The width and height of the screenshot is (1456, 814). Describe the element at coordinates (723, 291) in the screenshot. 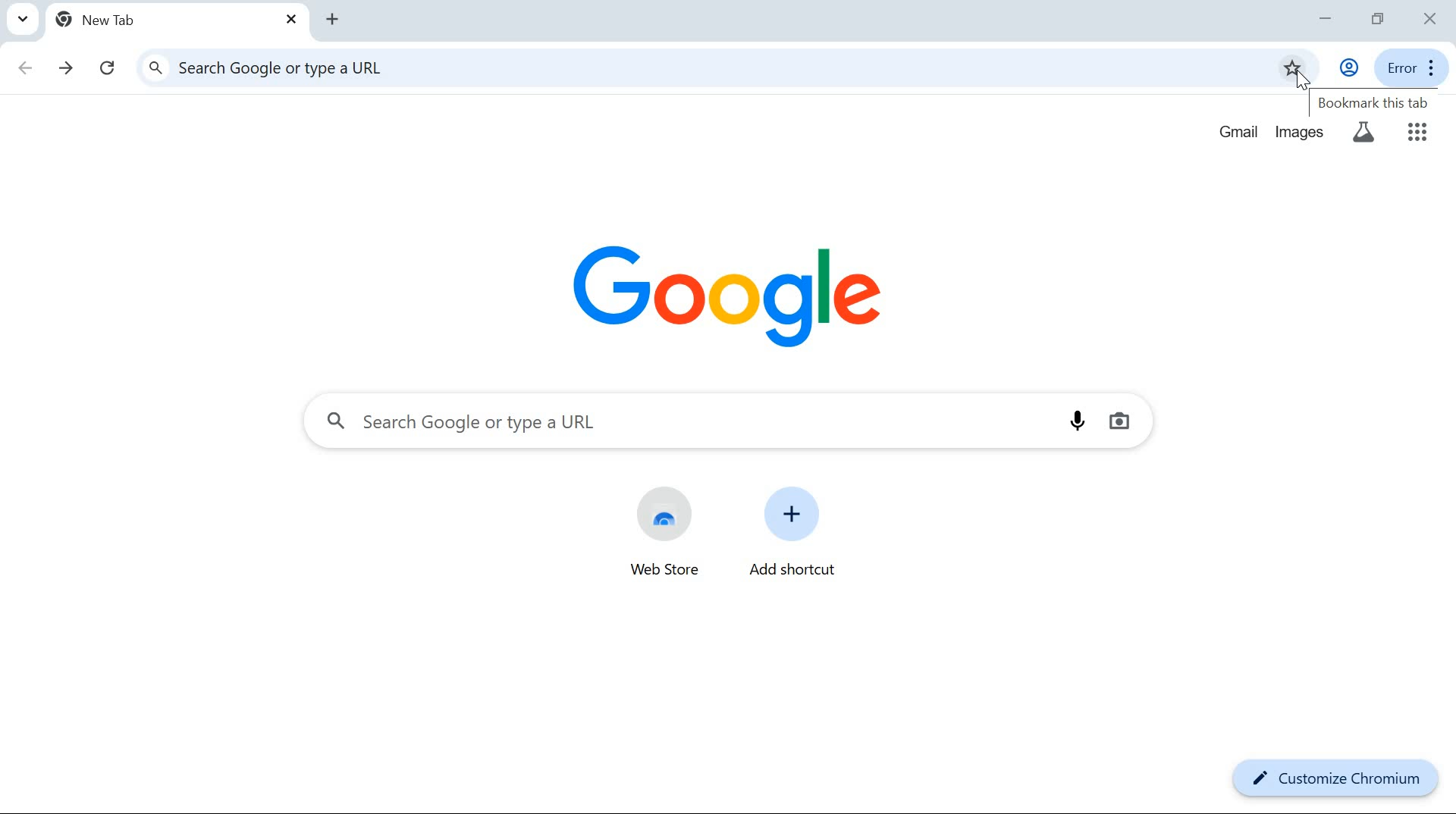

I see `logo` at that location.